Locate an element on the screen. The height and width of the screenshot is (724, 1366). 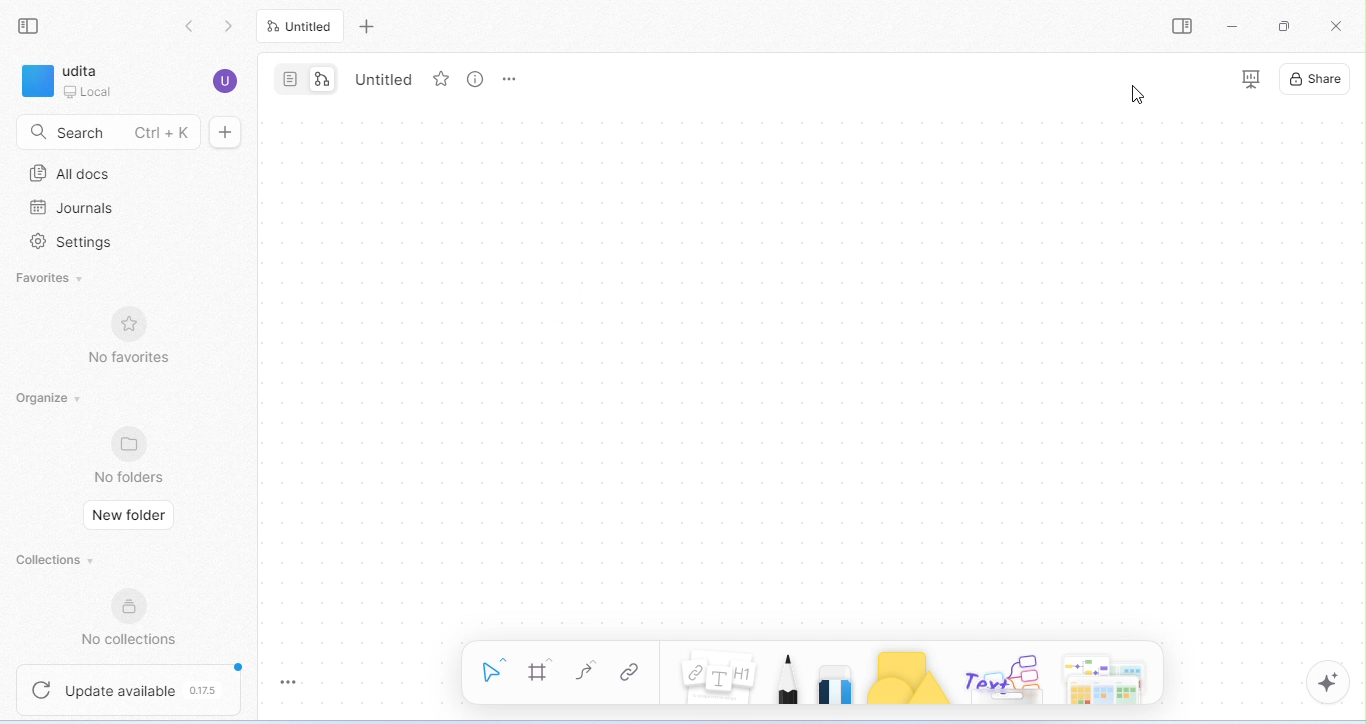
organize is located at coordinates (47, 398).